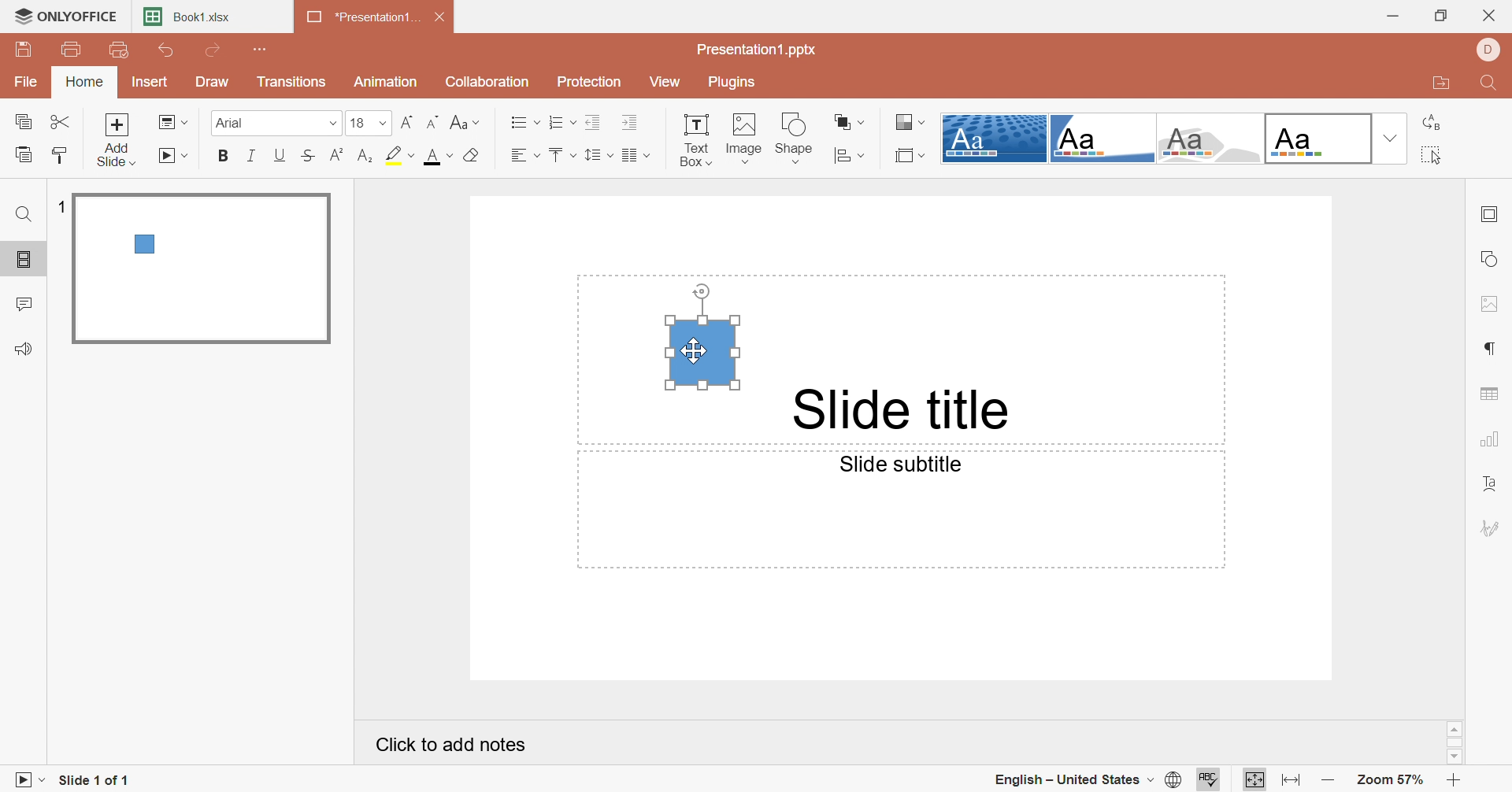  What do you see at coordinates (1489, 439) in the screenshot?
I see `Chart settings` at bounding box center [1489, 439].